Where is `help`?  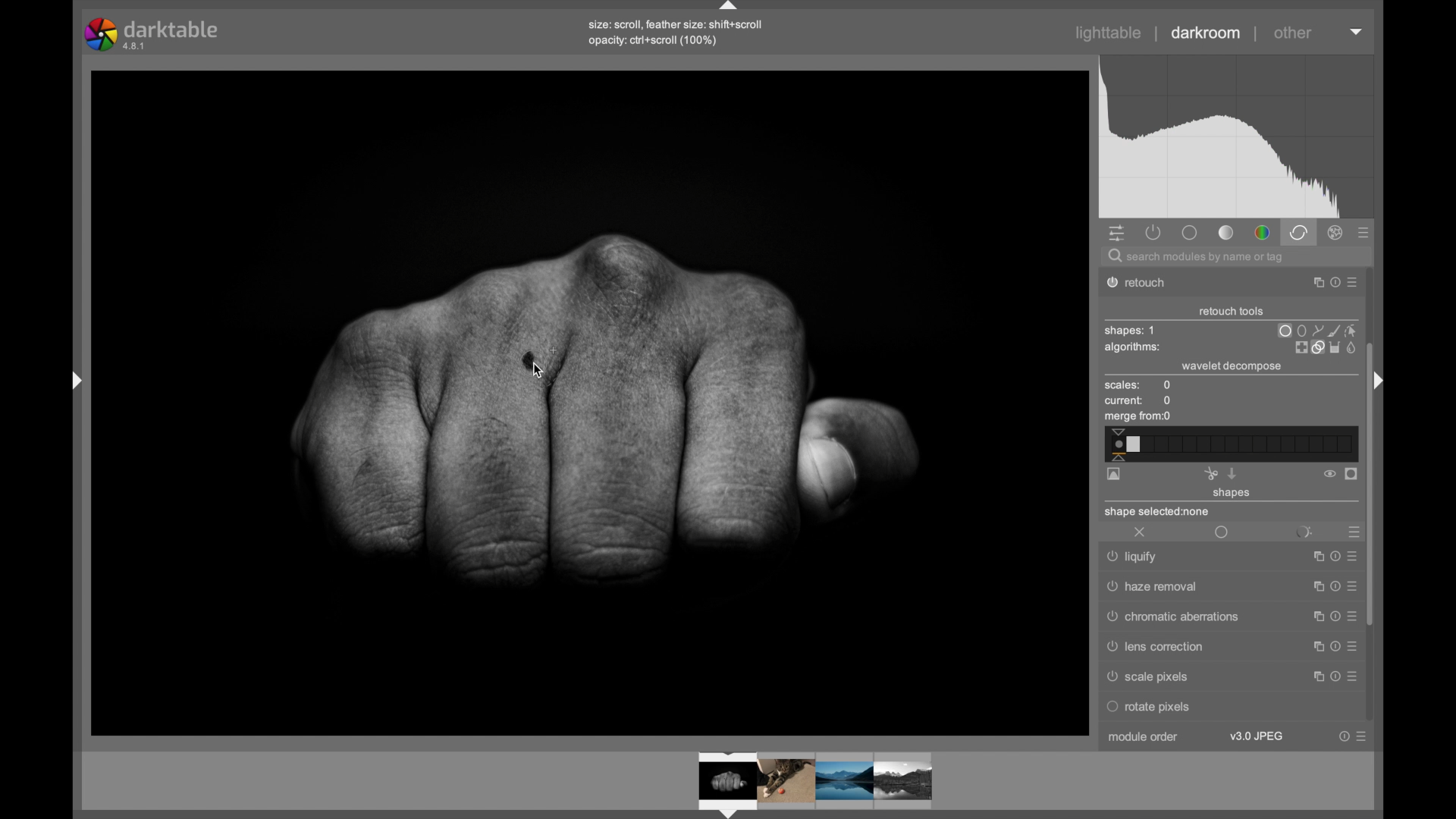 help is located at coordinates (1344, 736).